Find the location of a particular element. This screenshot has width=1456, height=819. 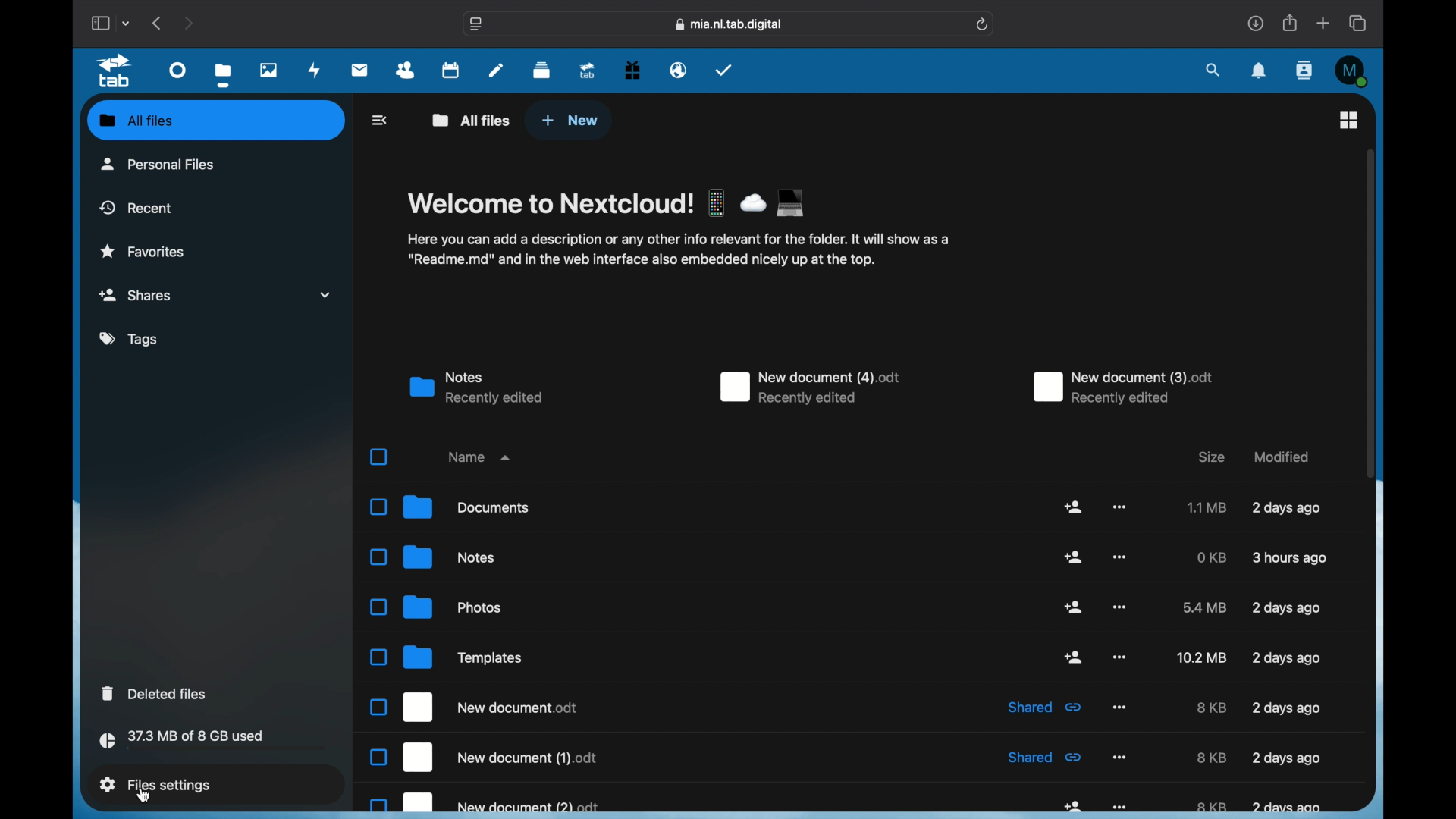

cursor is located at coordinates (145, 797).